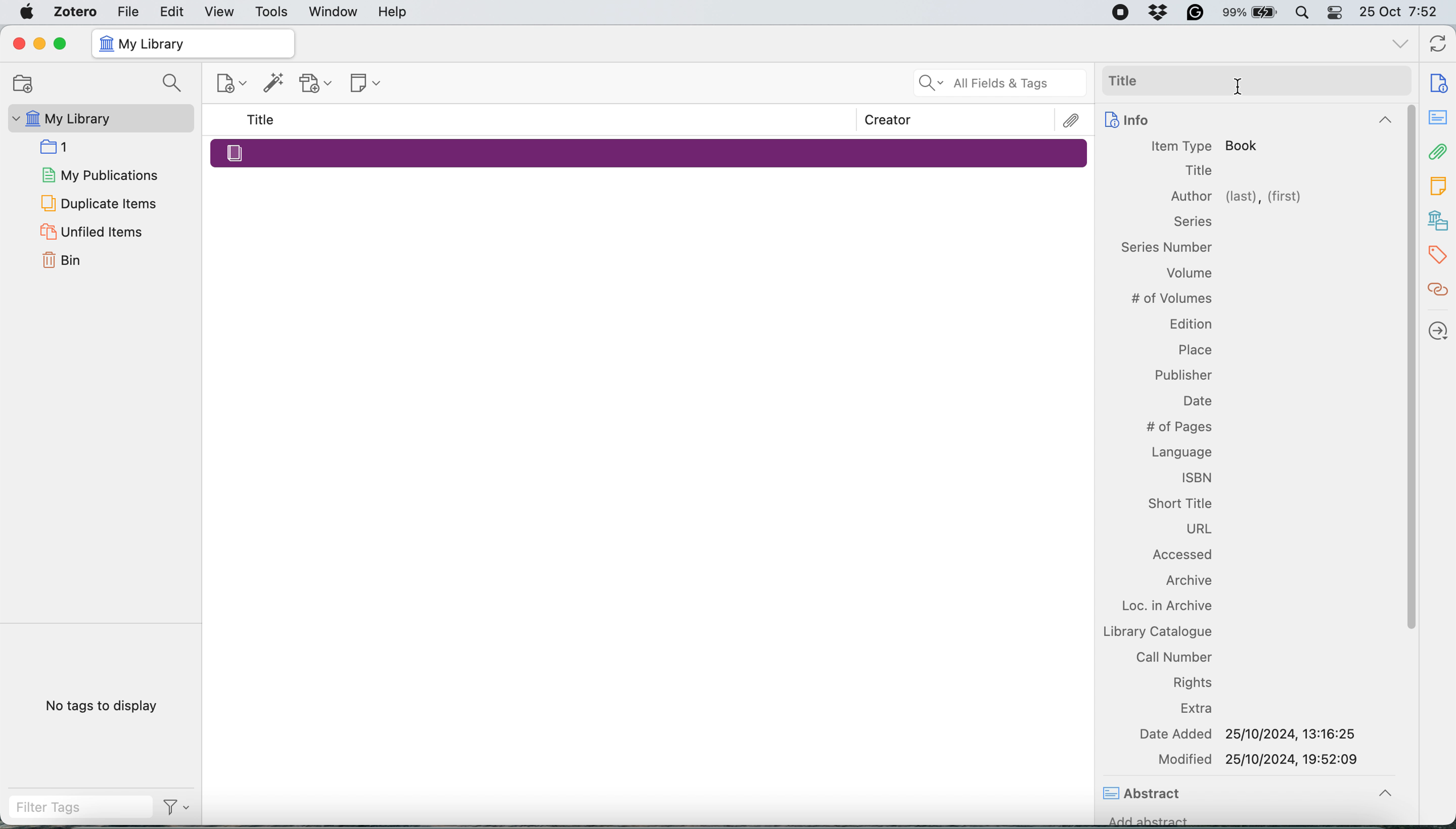 This screenshot has width=1456, height=829. Describe the element at coordinates (94, 231) in the screenshot. I see `Unfiled Items` at that location.